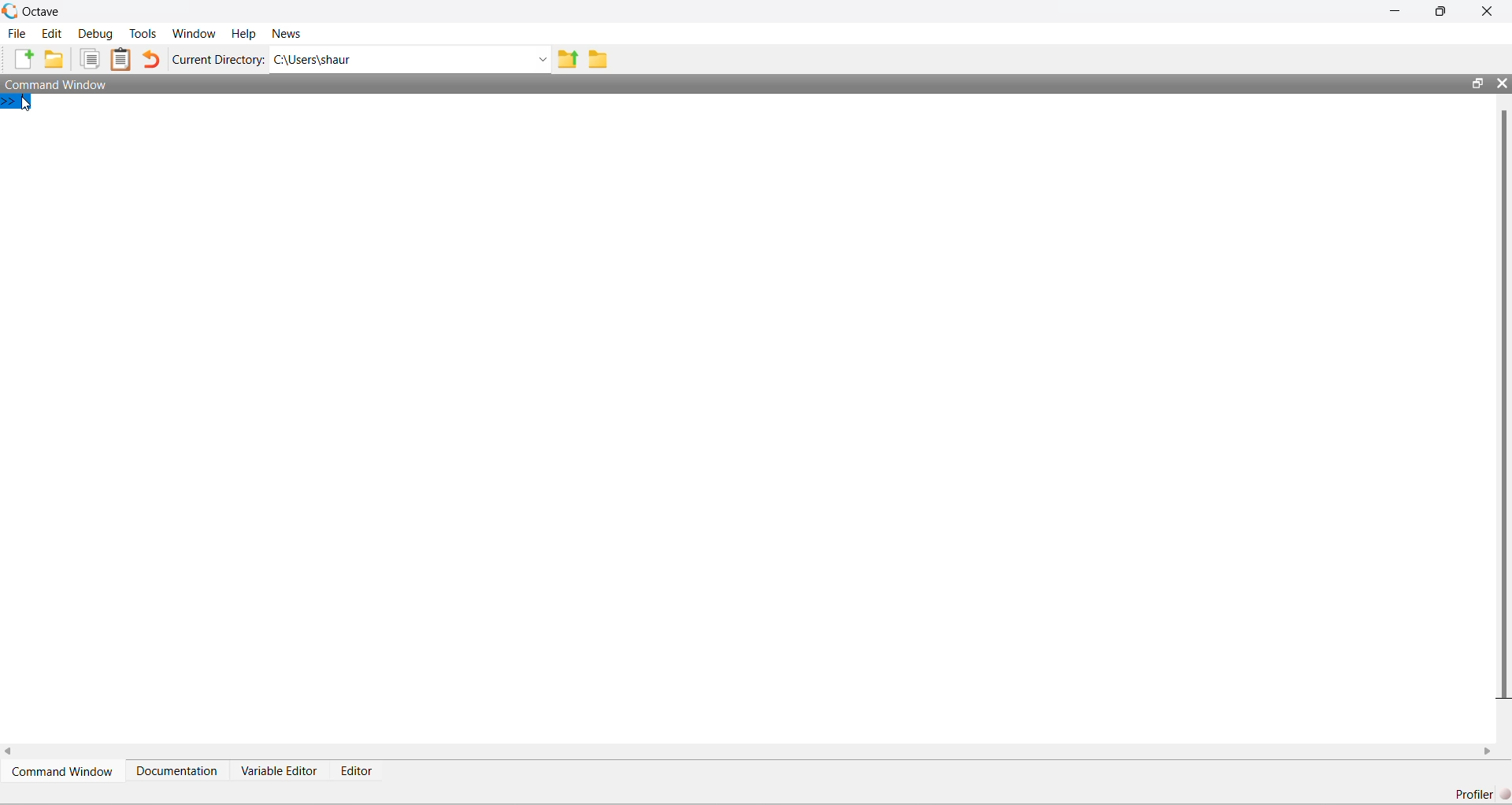 This screenshot has height=805, width=1512. Describe the element at coordinates (280, 770) in the screenshot. I see `Variable Editor` at that location.